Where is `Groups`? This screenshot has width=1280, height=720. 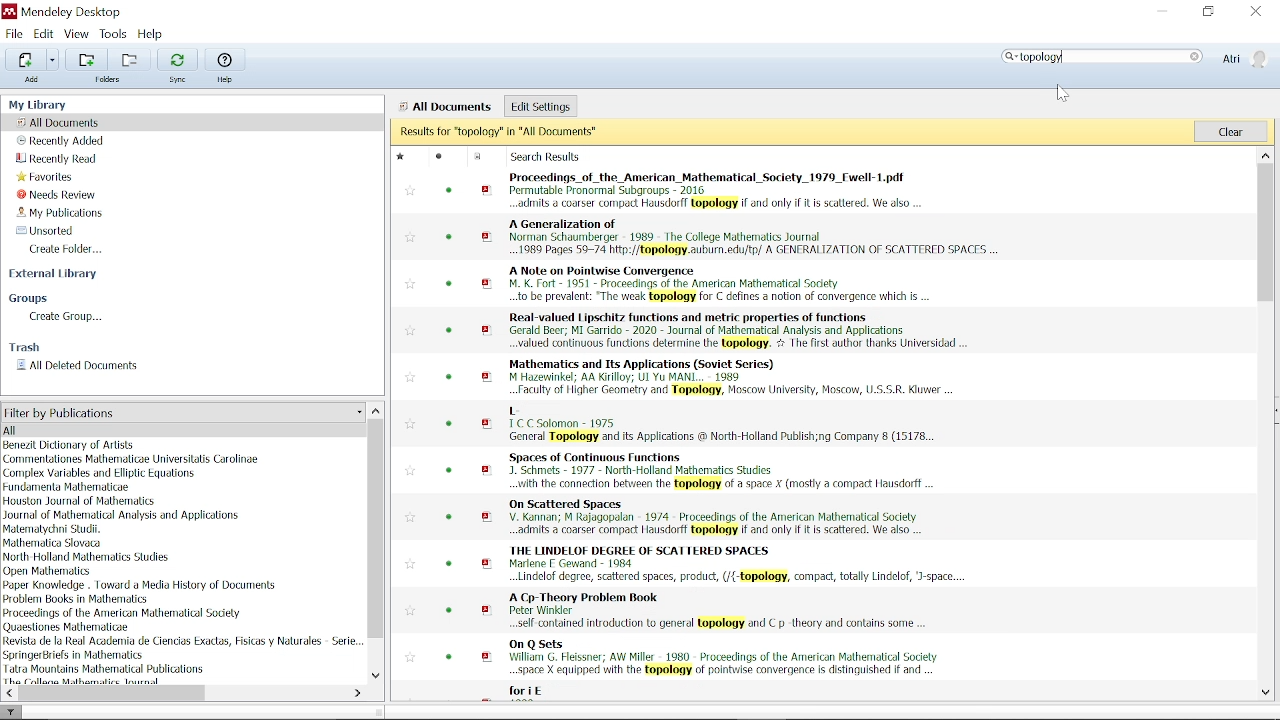
Groups is located at coordinates (33, 299).